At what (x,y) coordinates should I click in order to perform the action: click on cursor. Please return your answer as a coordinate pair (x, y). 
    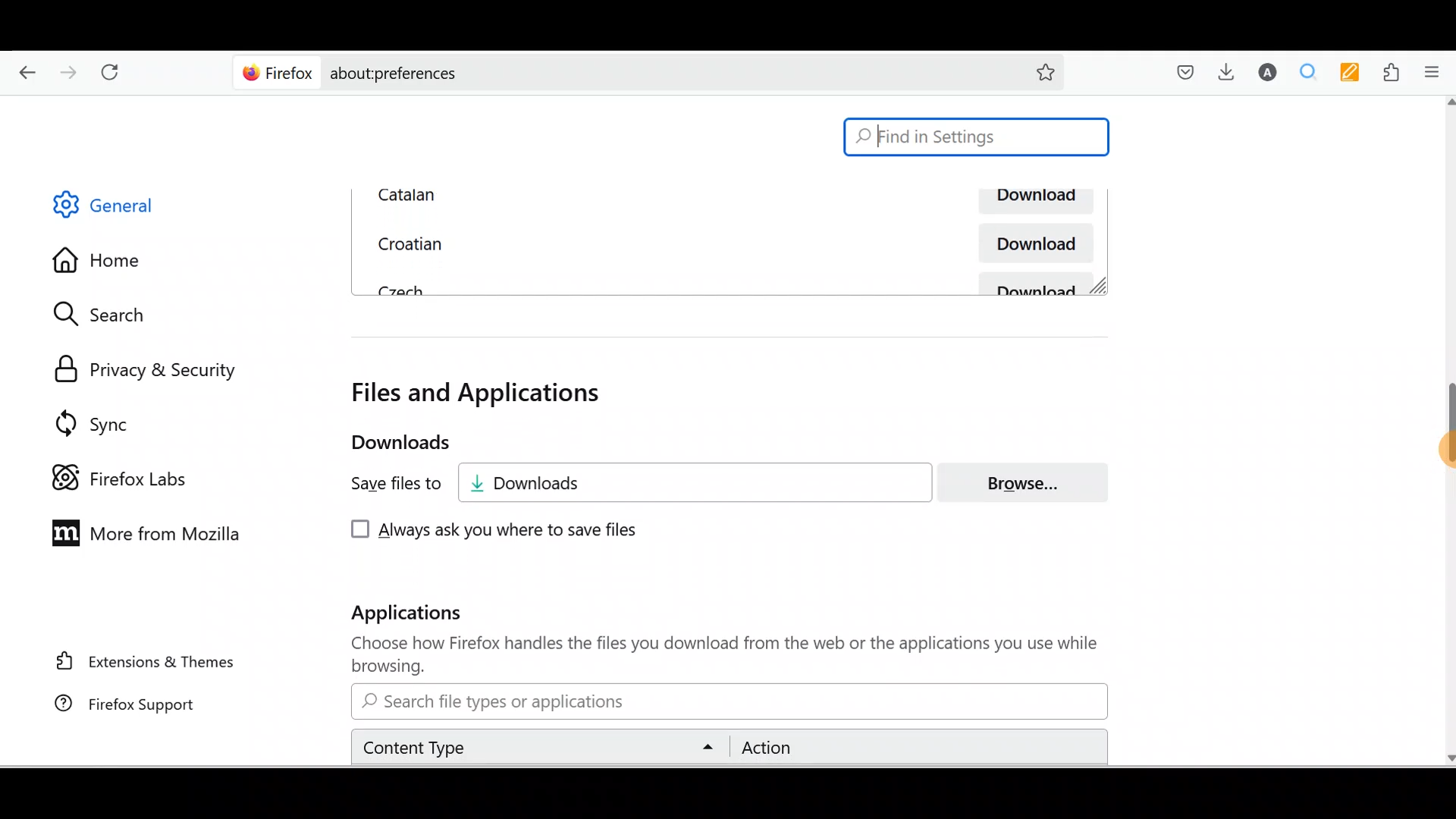
    Looking at the image, I should click on (1447, 451).